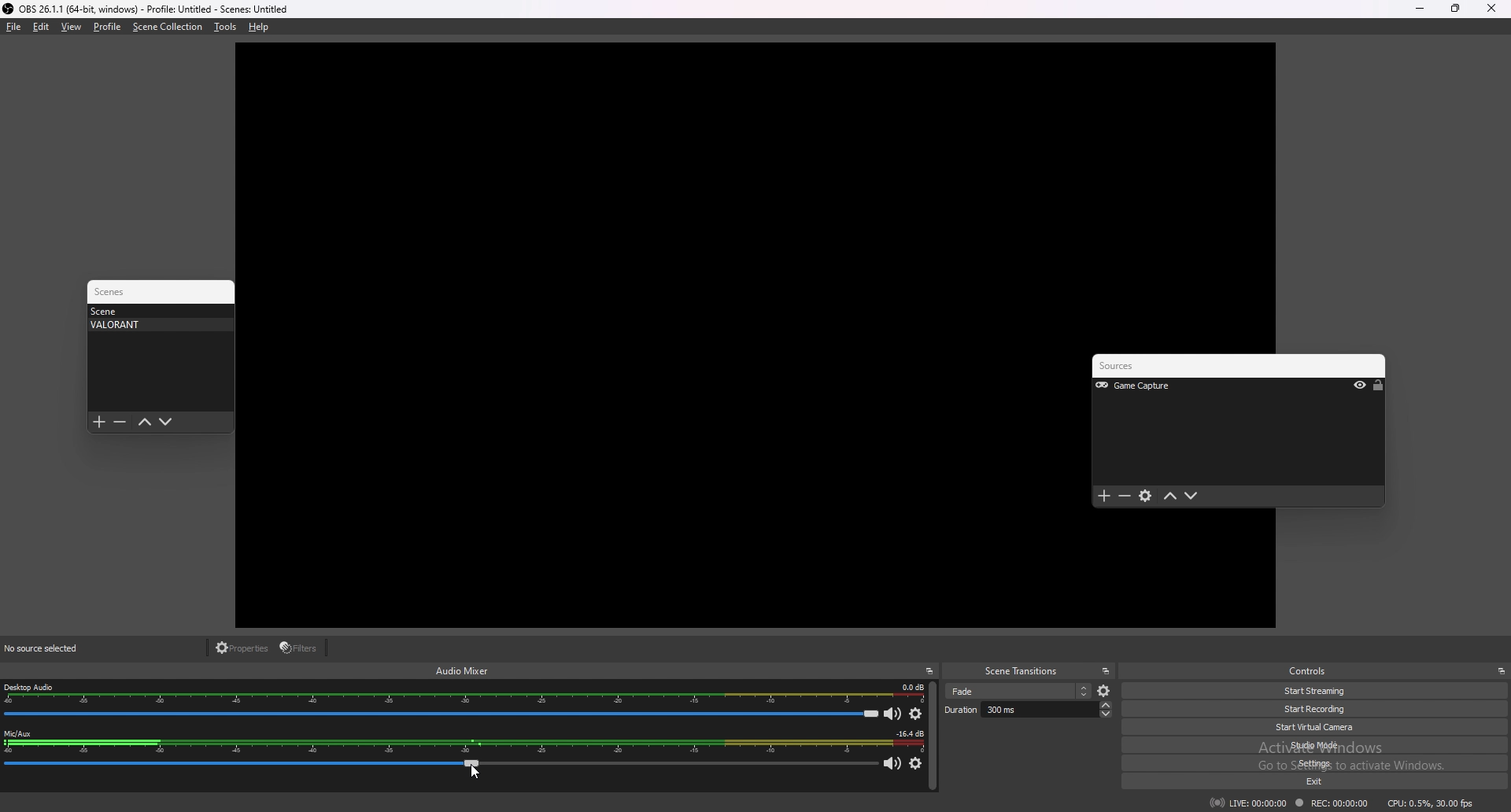 This screenshot has width=1511, height=812. What do you see at coordinates (41, 27) in the screenshot?
I see `edit` at bounding box center [41, 27].